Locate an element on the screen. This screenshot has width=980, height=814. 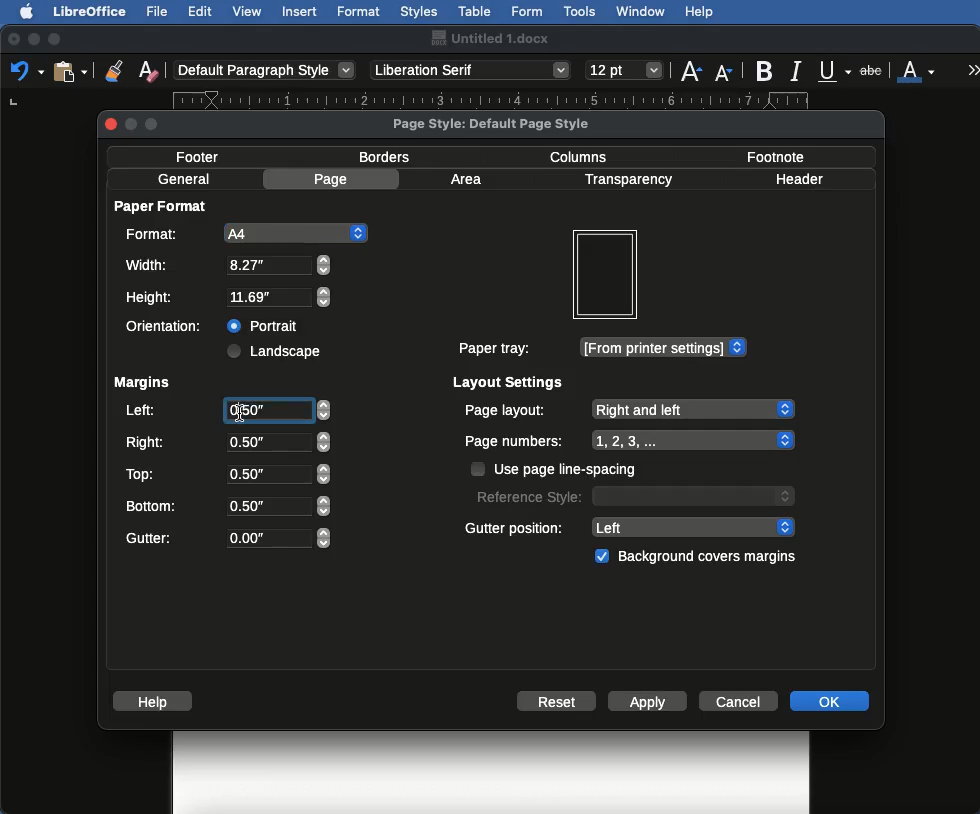
LibreOffice is located at coordinates (89, 11).